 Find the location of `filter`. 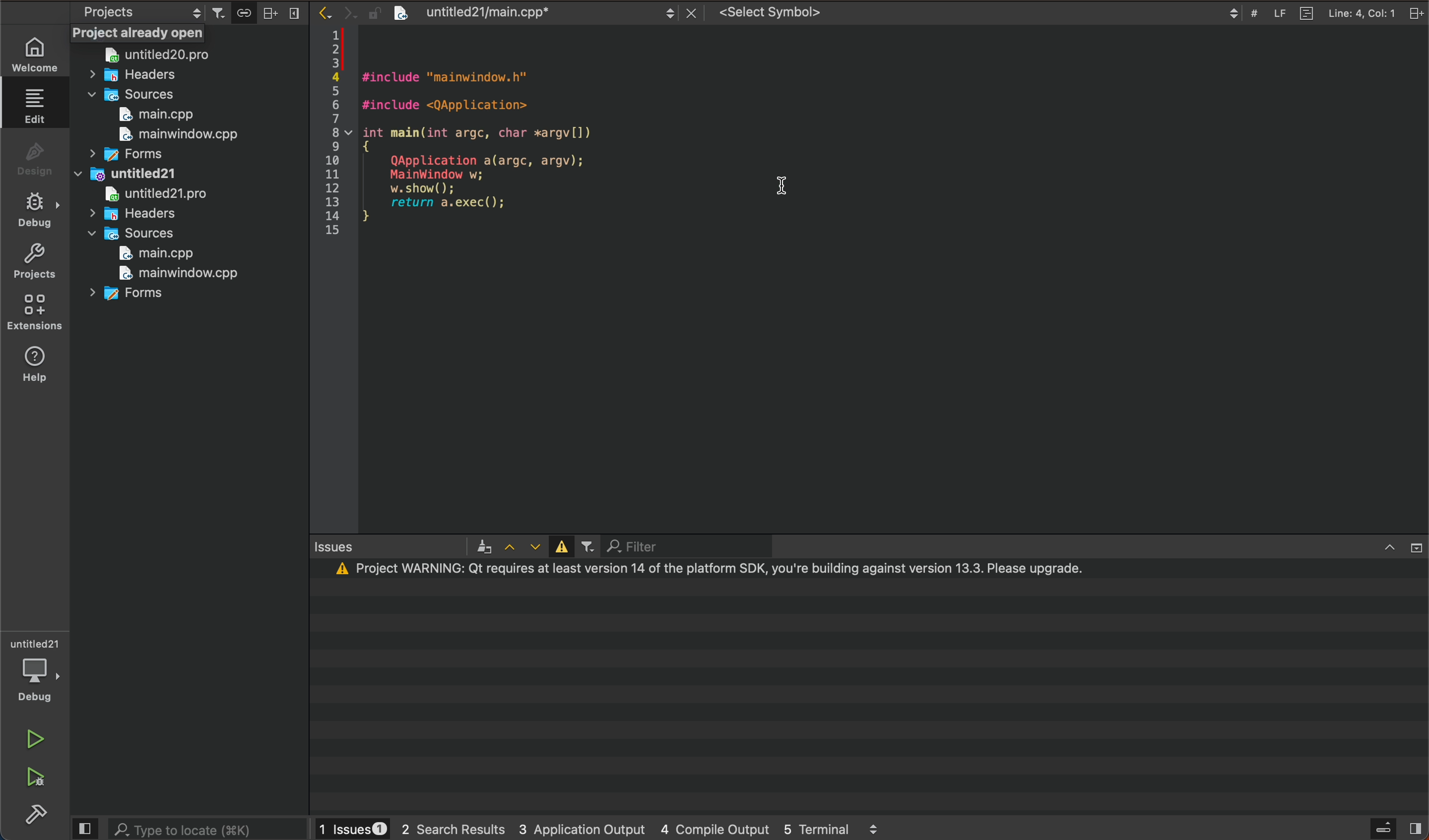

filter is located at coordinates (694, 545).